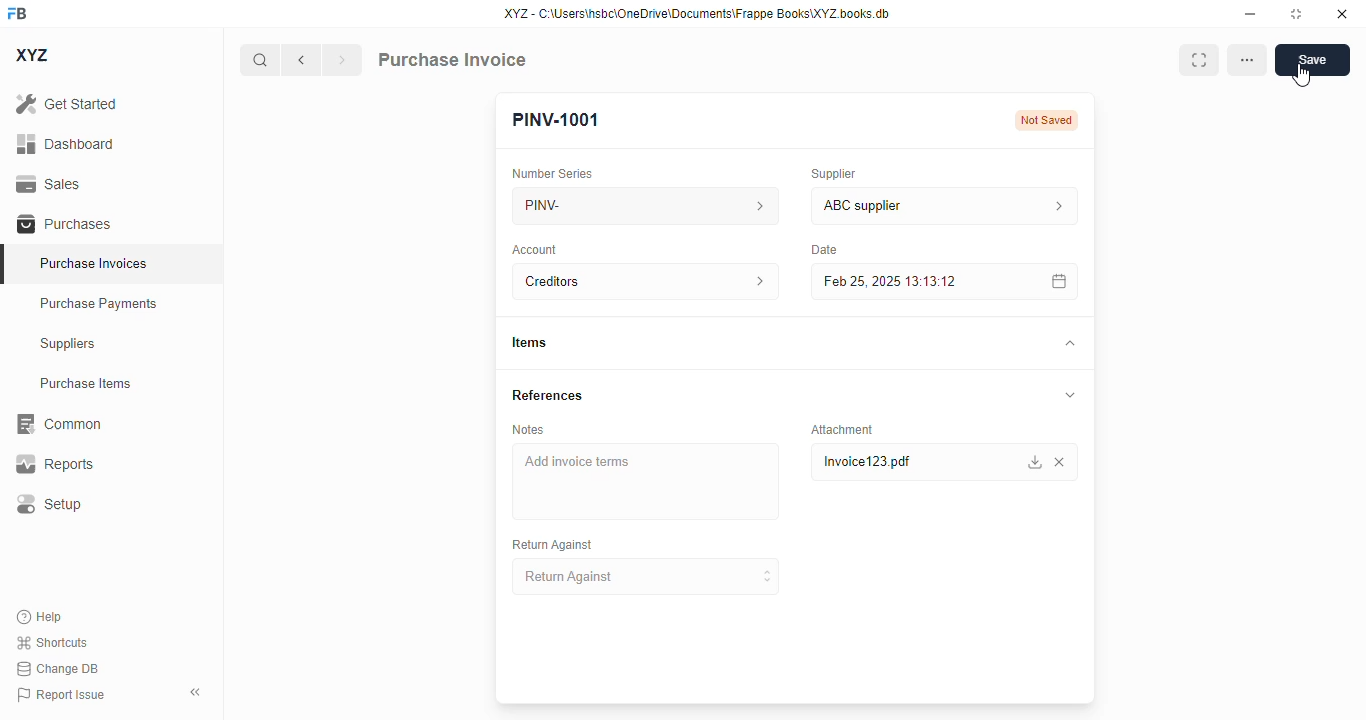  Describe the element at coordinates (553, 173) in the screenshot. I see `number series` at that location.